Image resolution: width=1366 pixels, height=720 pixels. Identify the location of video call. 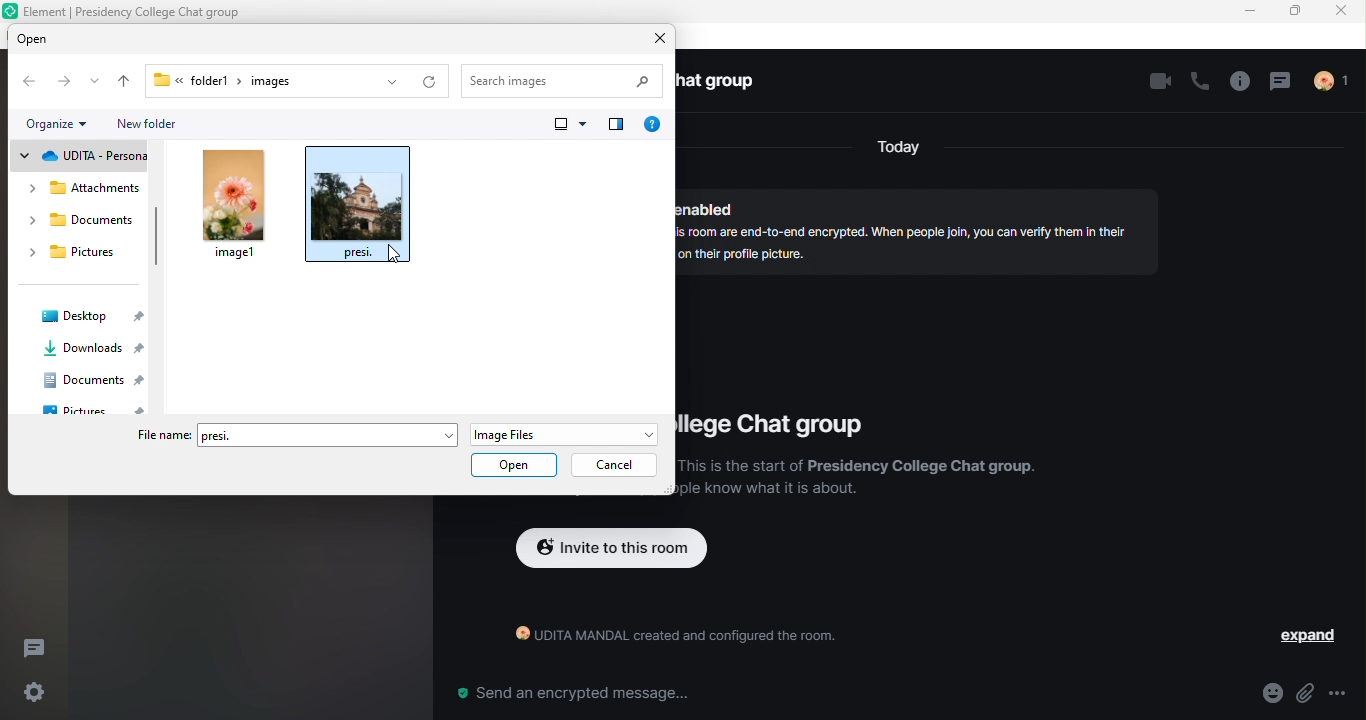
(1155, 83).